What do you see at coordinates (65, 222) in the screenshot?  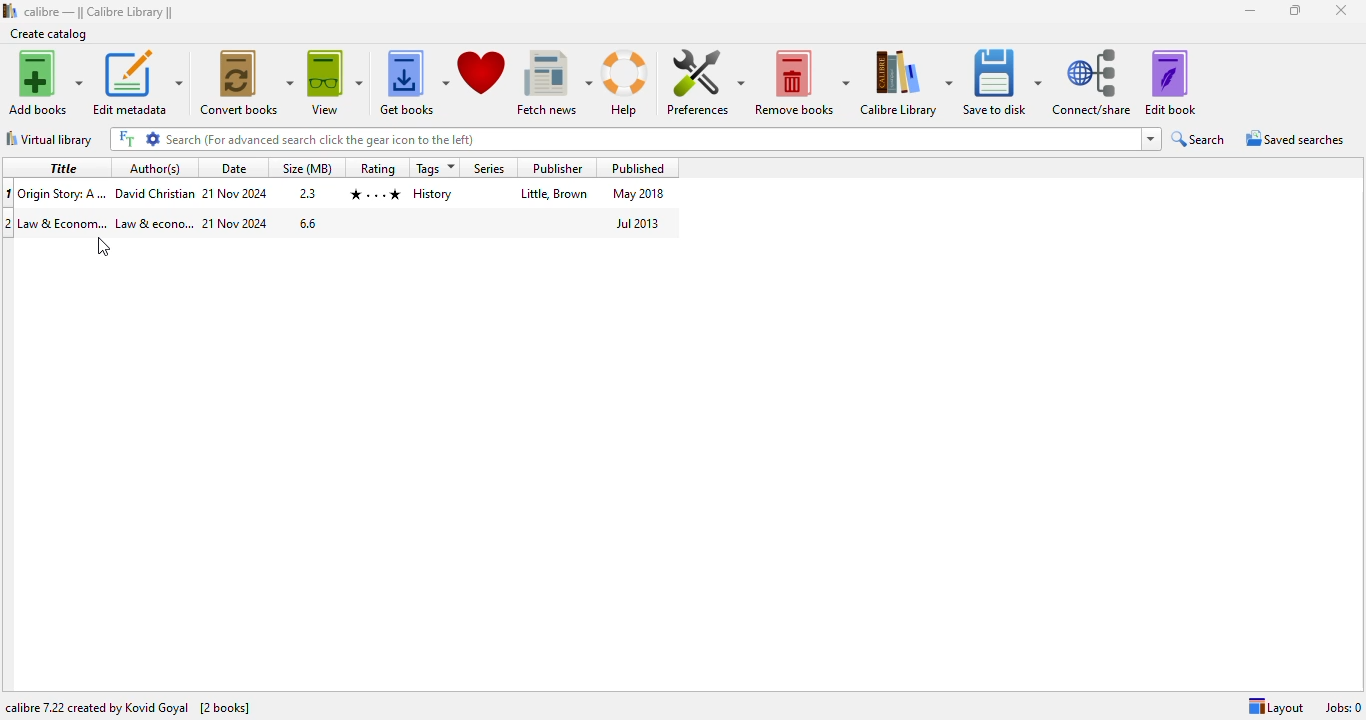 I see `Title` at bounding box center [65, 222].